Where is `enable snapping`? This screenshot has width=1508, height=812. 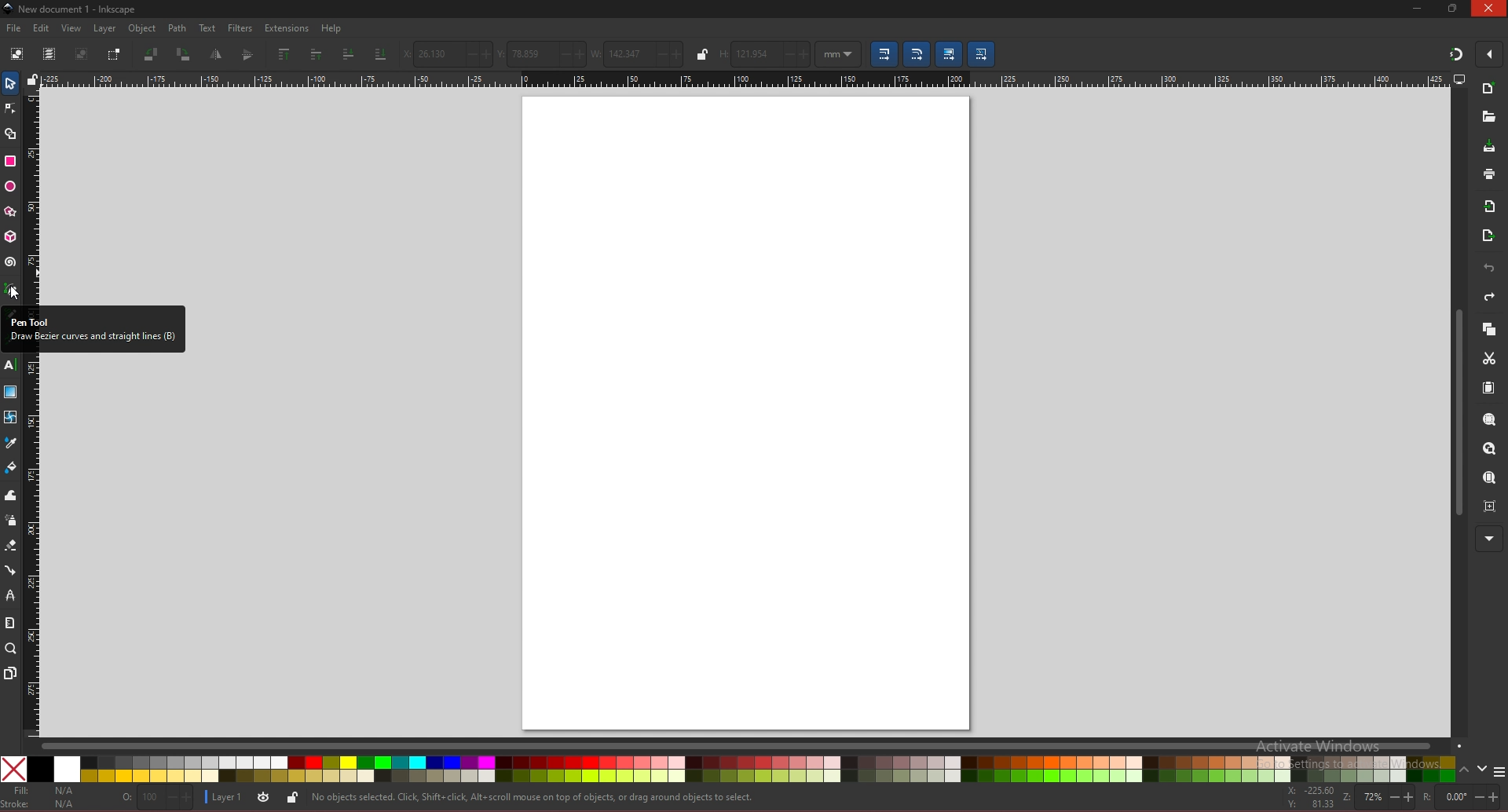 enable snapping is located at coordinates (1495, 52).